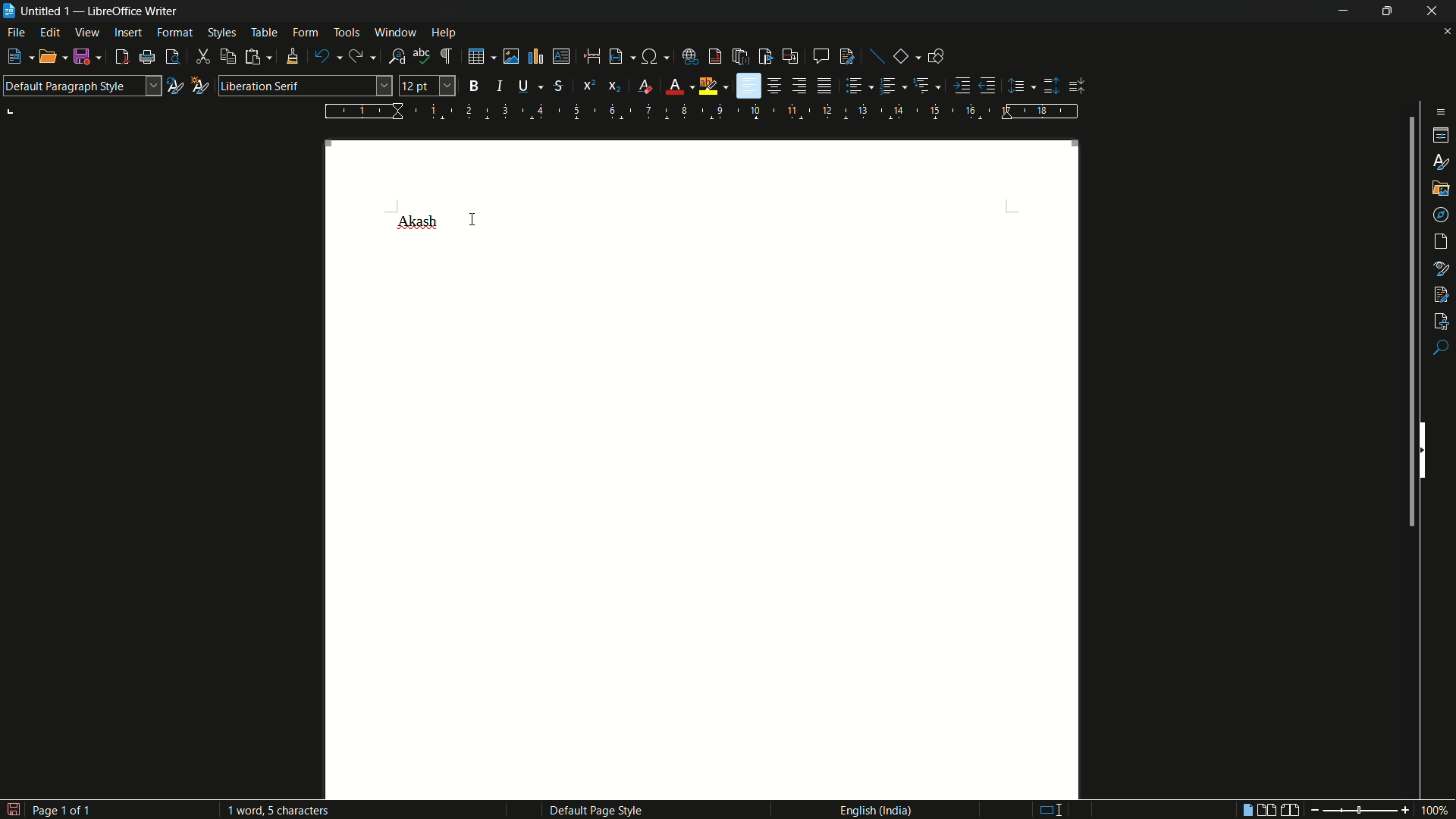 The image size is (1456, 819). I want to click on insert chart, so click(535, 55).